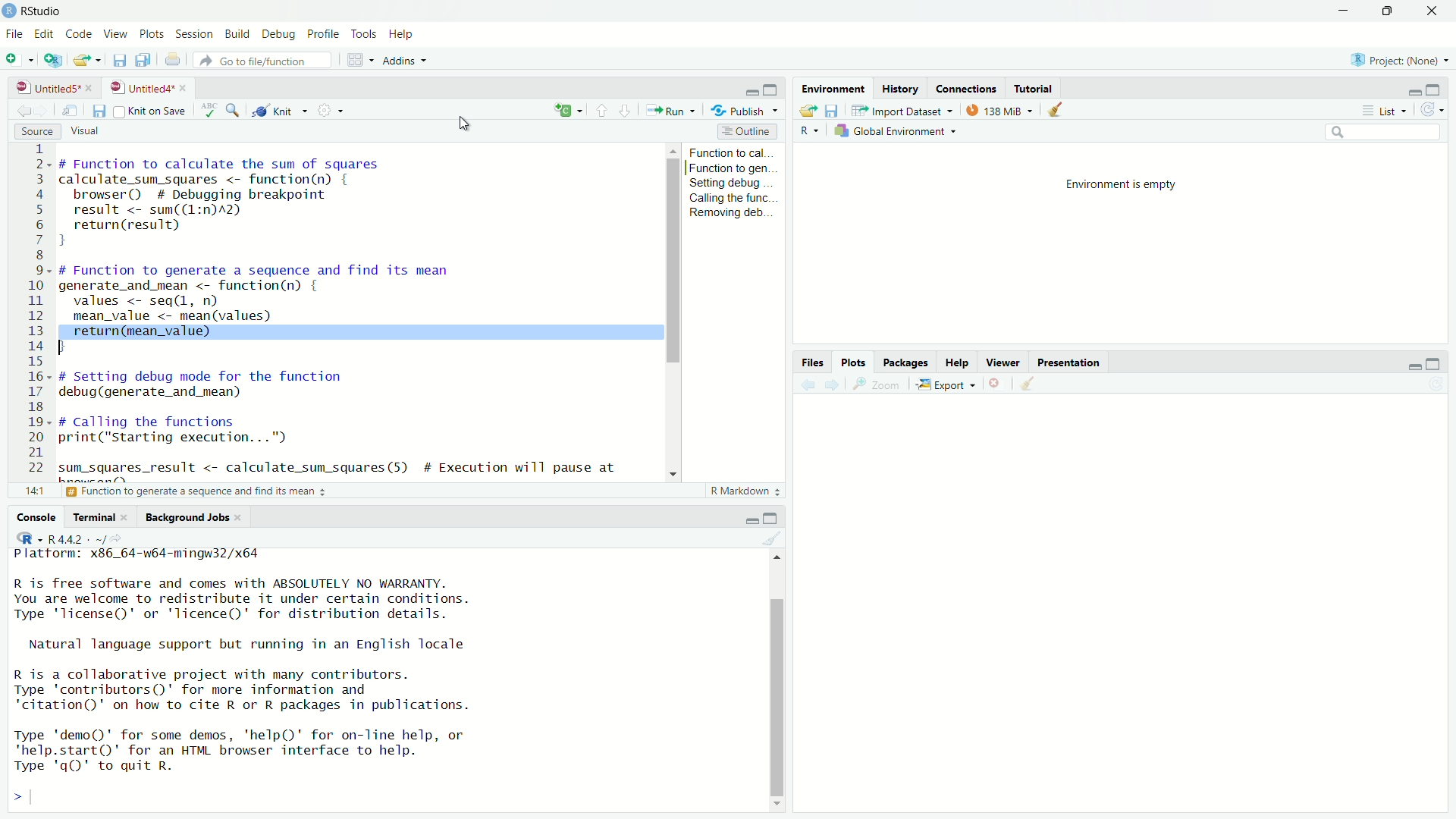  Describe the element at coordinates (1409, 90) in the screenshot. I see `minimize` at that location.